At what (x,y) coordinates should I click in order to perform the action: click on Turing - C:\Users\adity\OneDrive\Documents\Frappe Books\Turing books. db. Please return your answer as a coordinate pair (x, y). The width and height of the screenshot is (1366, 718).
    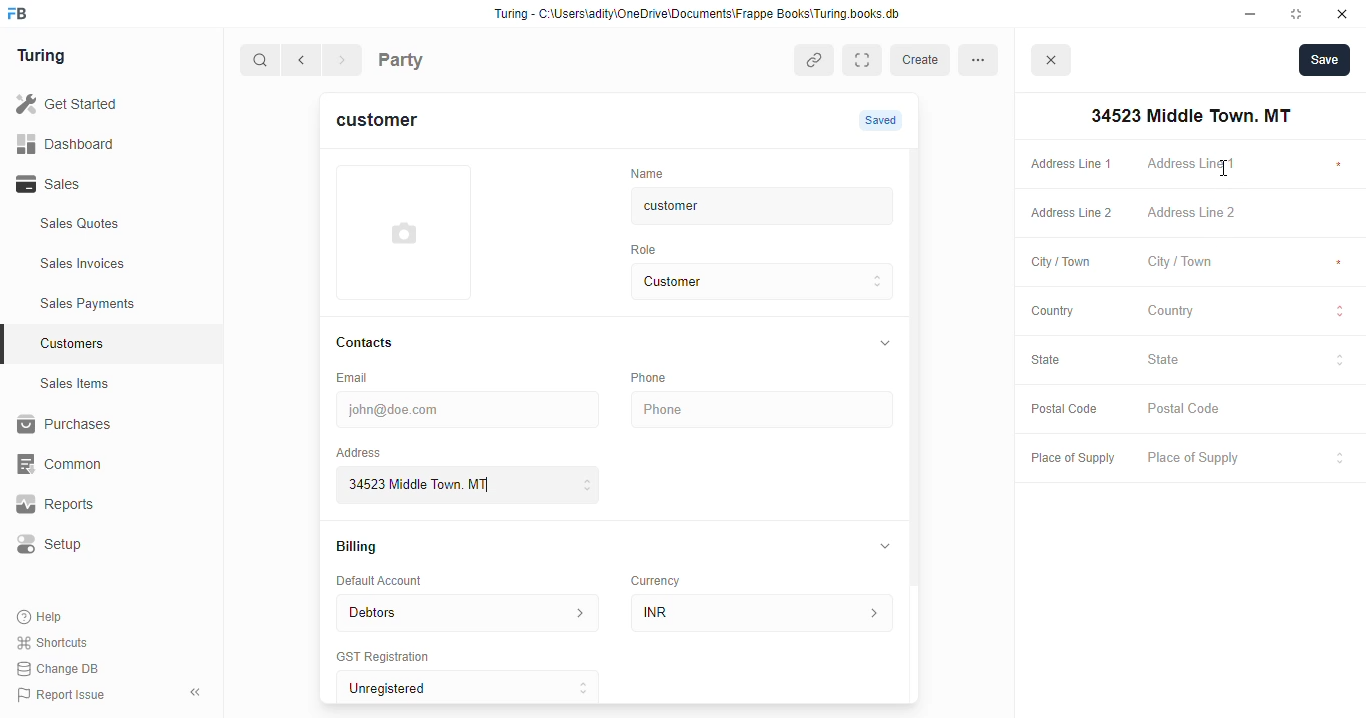
    Looking at the image, I should click on (703, 16).